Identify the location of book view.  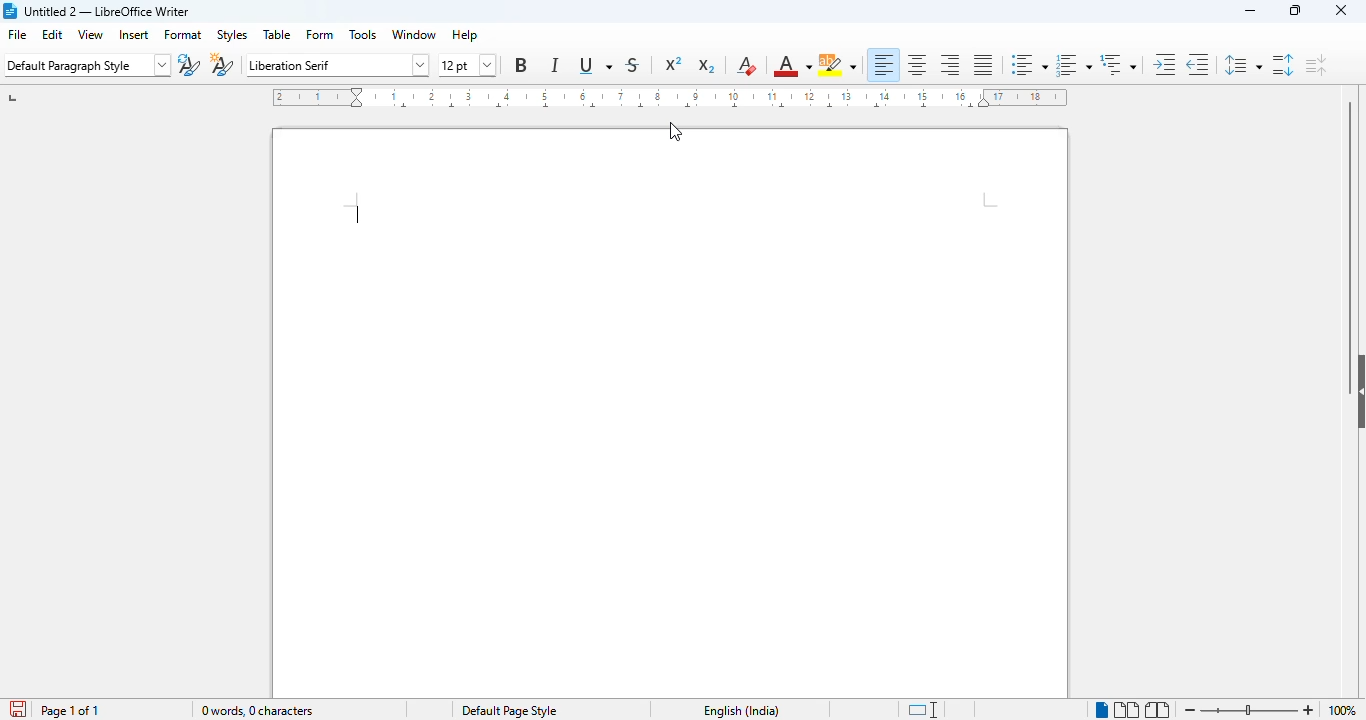
(1159, 709).